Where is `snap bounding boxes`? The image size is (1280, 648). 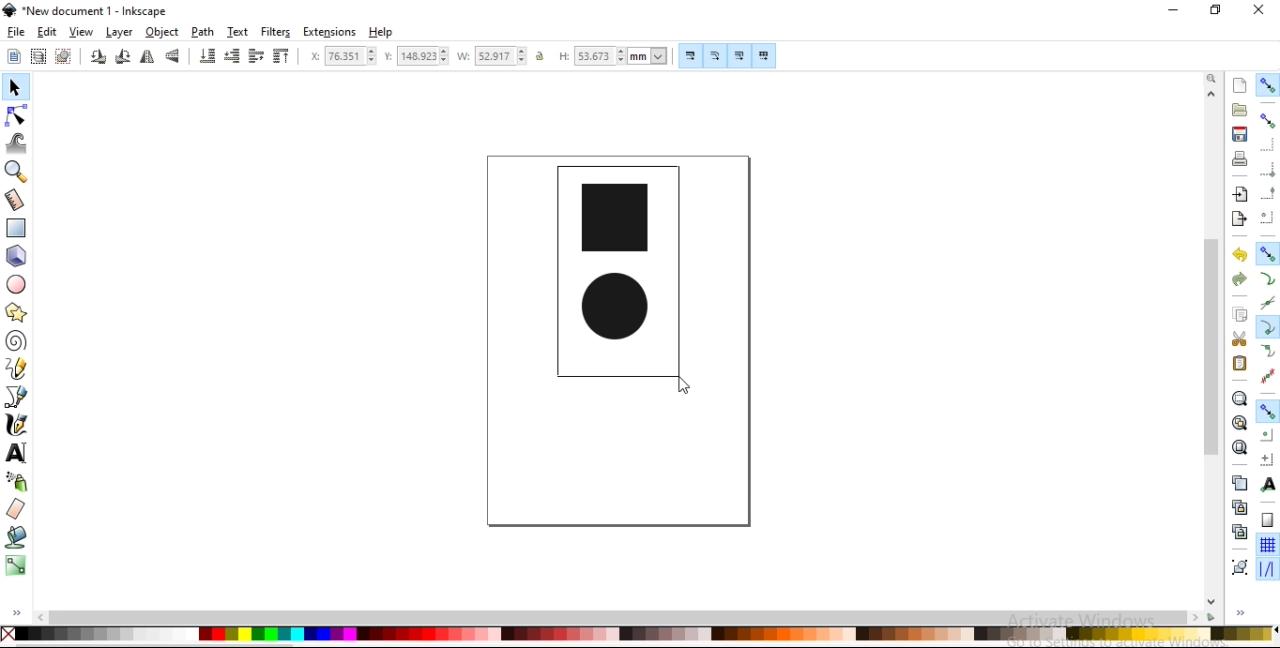 snap bounding boxes is located at coordinates (1267, 119).